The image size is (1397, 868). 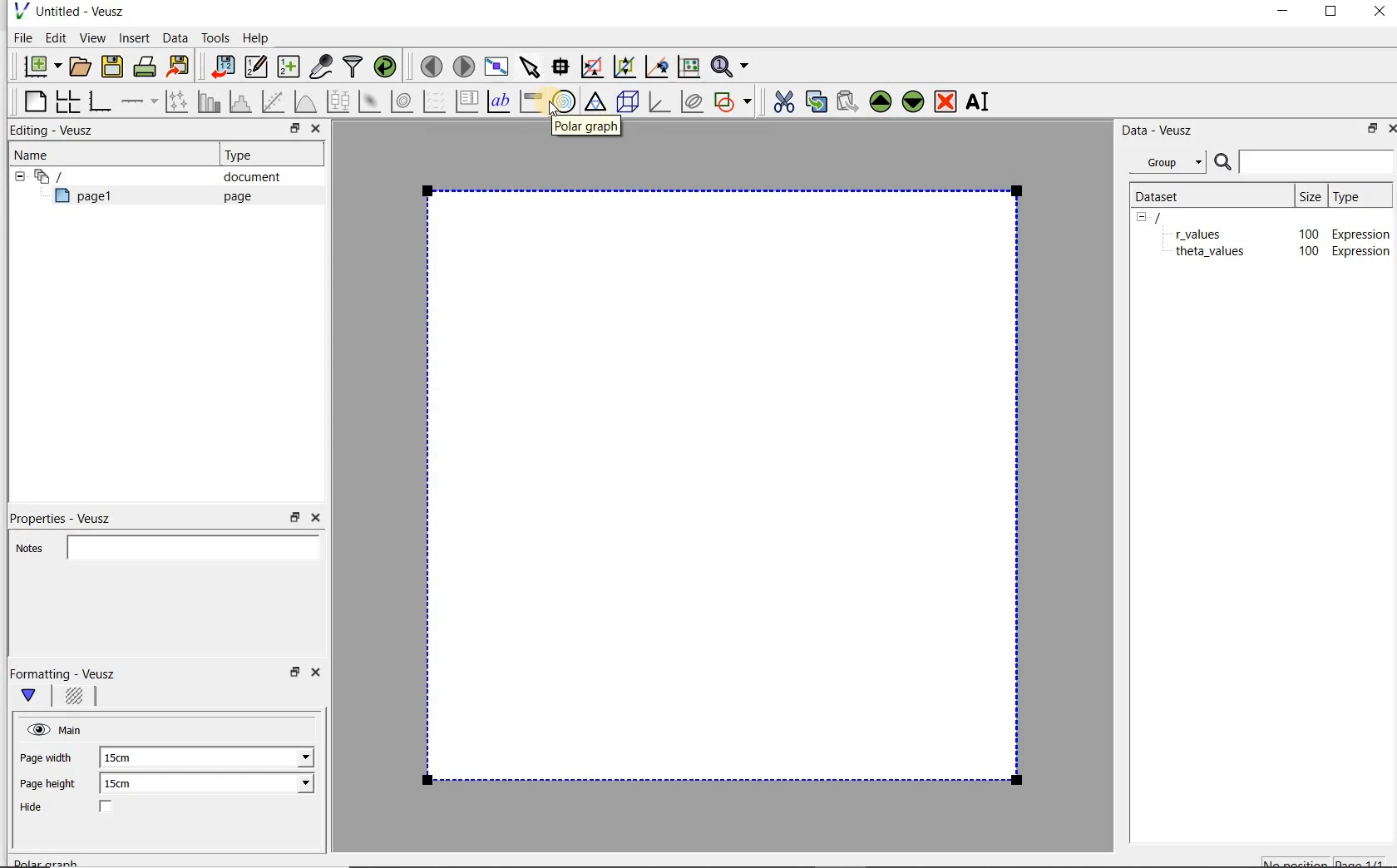 I want to click on Hide, so click(x=82, y=808).